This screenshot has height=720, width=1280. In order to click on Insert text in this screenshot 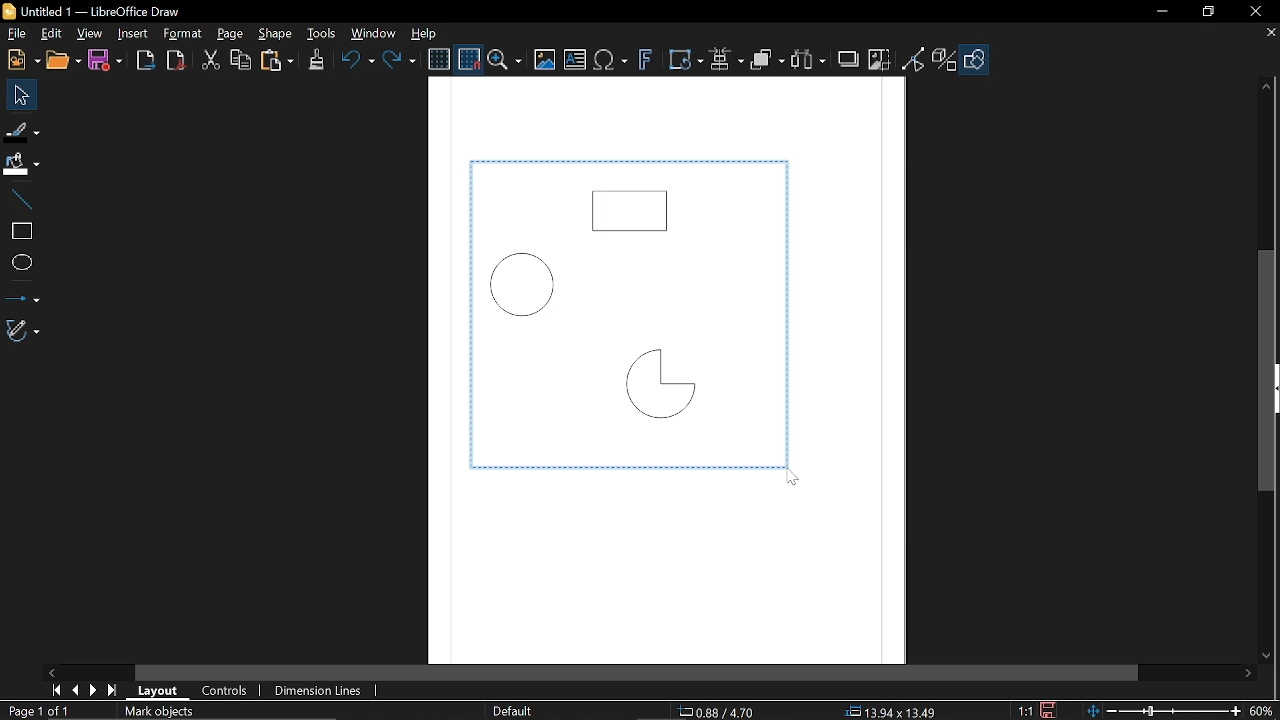, I will do `click(611, 61)`.